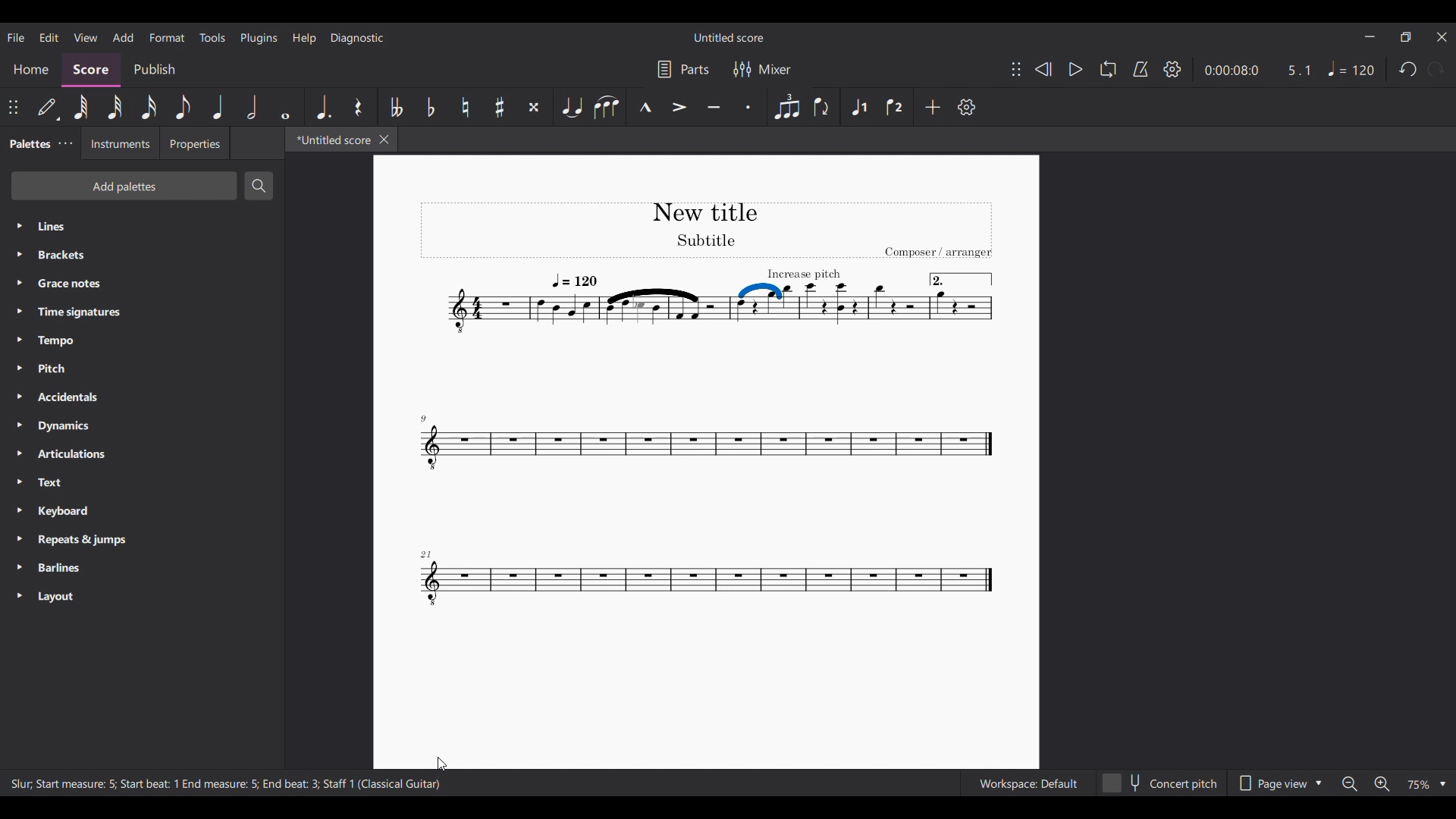 This screenshot has height=819, width=1456. Describe the element at coordinates (149, 107) in the screenshot. I see `16th note` at that location.